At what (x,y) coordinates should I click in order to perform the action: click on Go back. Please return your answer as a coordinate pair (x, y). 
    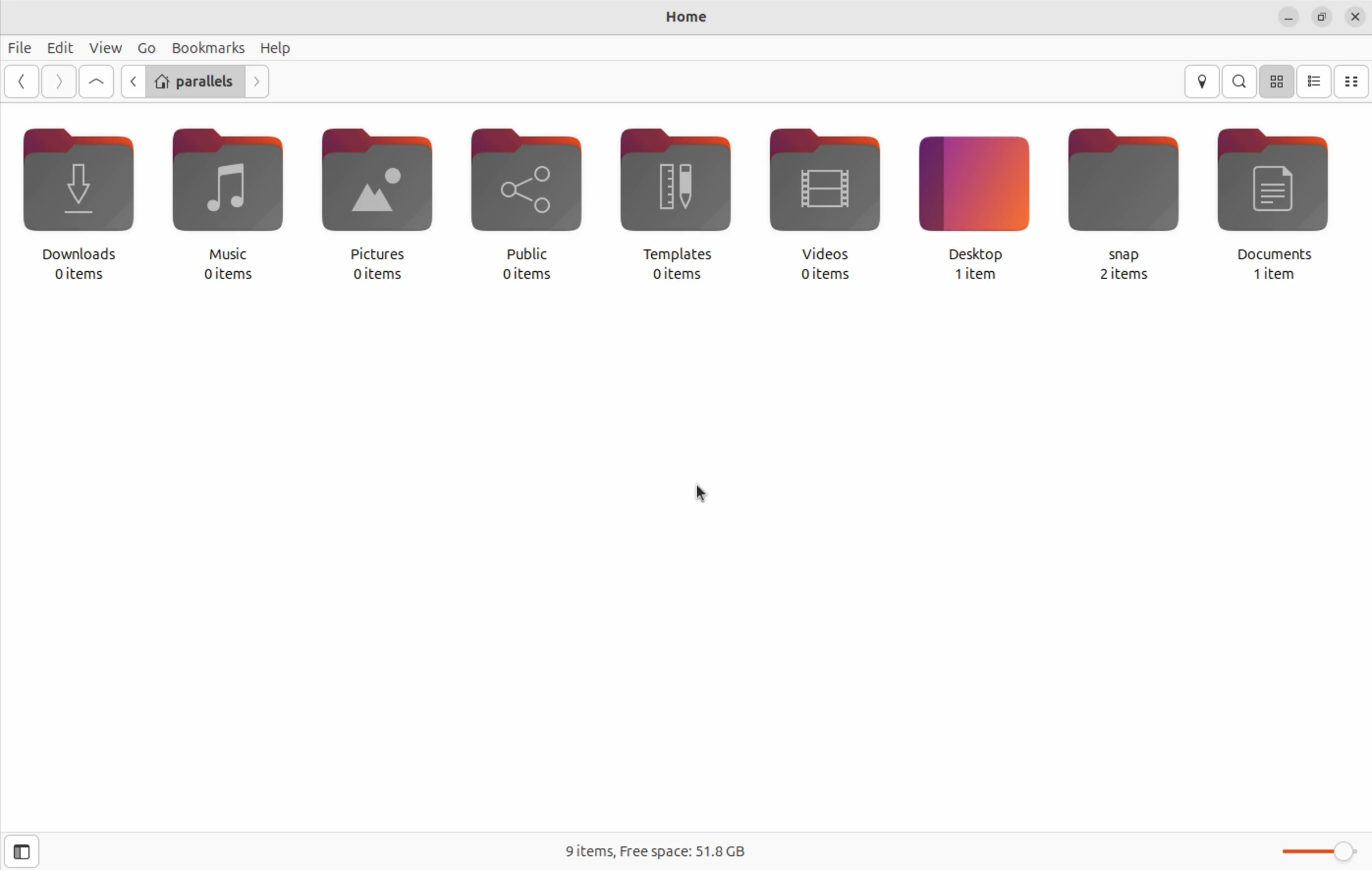
    Looking at the image, I should click on (23, 82).